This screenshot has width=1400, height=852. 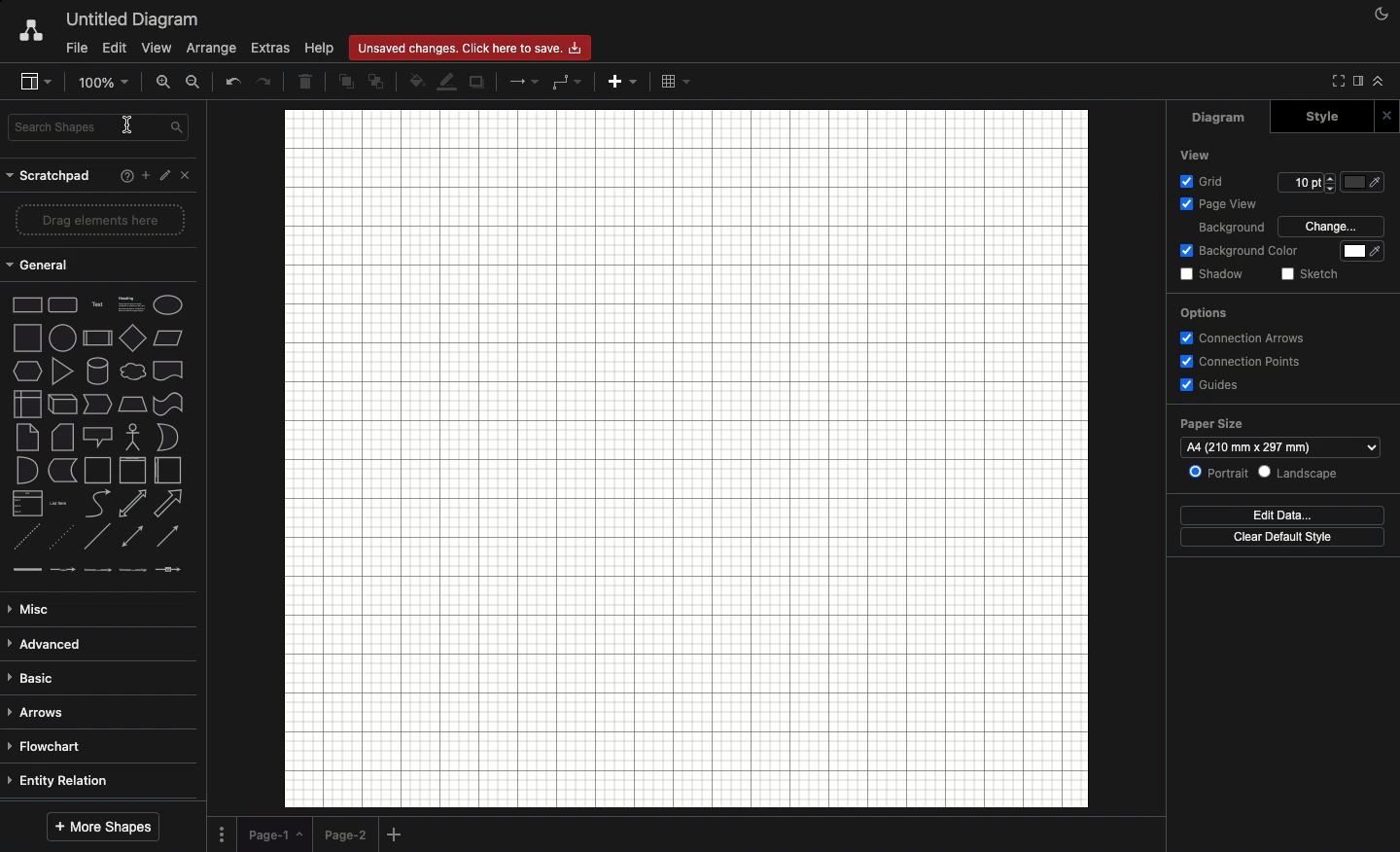 What do you see at coordinates (34, 611) in the screenshot?
I see `Misc` at bounding box center [34, 611].